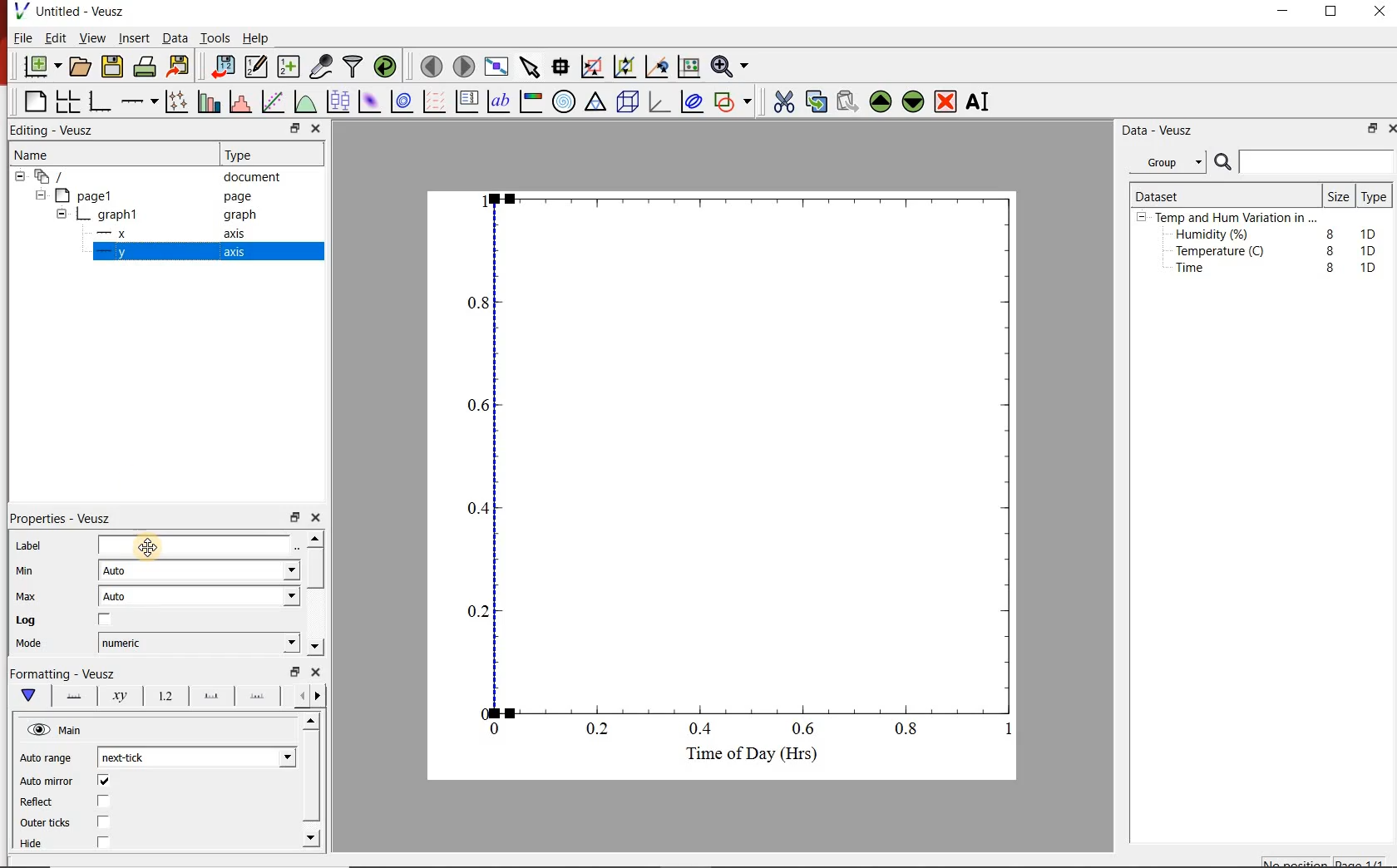 Image resolution: width=1397 pixels, height=868 pixels. What do you see at coordinates (241, 197) in the screenshot?
I see `page` at bounding box center [241, 197].